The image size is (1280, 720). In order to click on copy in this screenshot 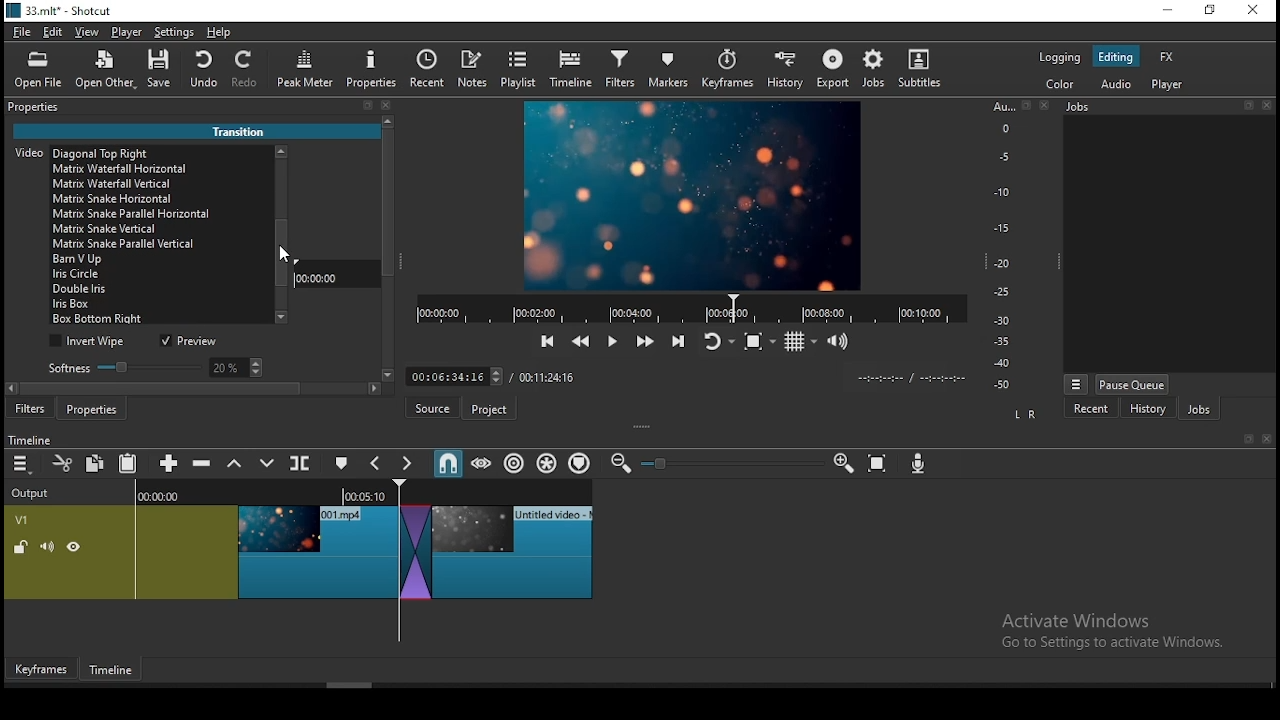, I will do `click(98, 463)`.